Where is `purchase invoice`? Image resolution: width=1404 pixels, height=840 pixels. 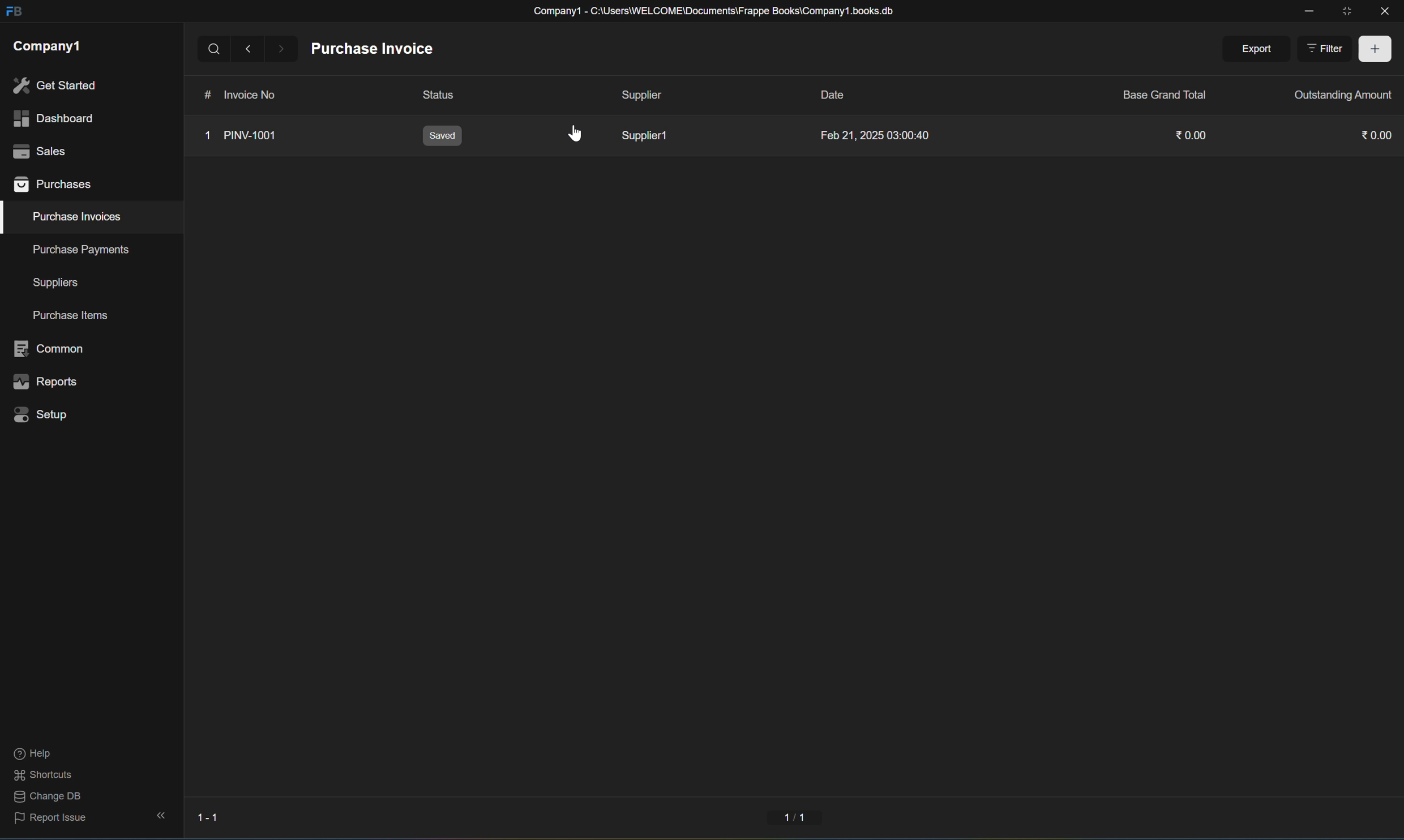 purchase invoice is located at coordinates (375, 49).